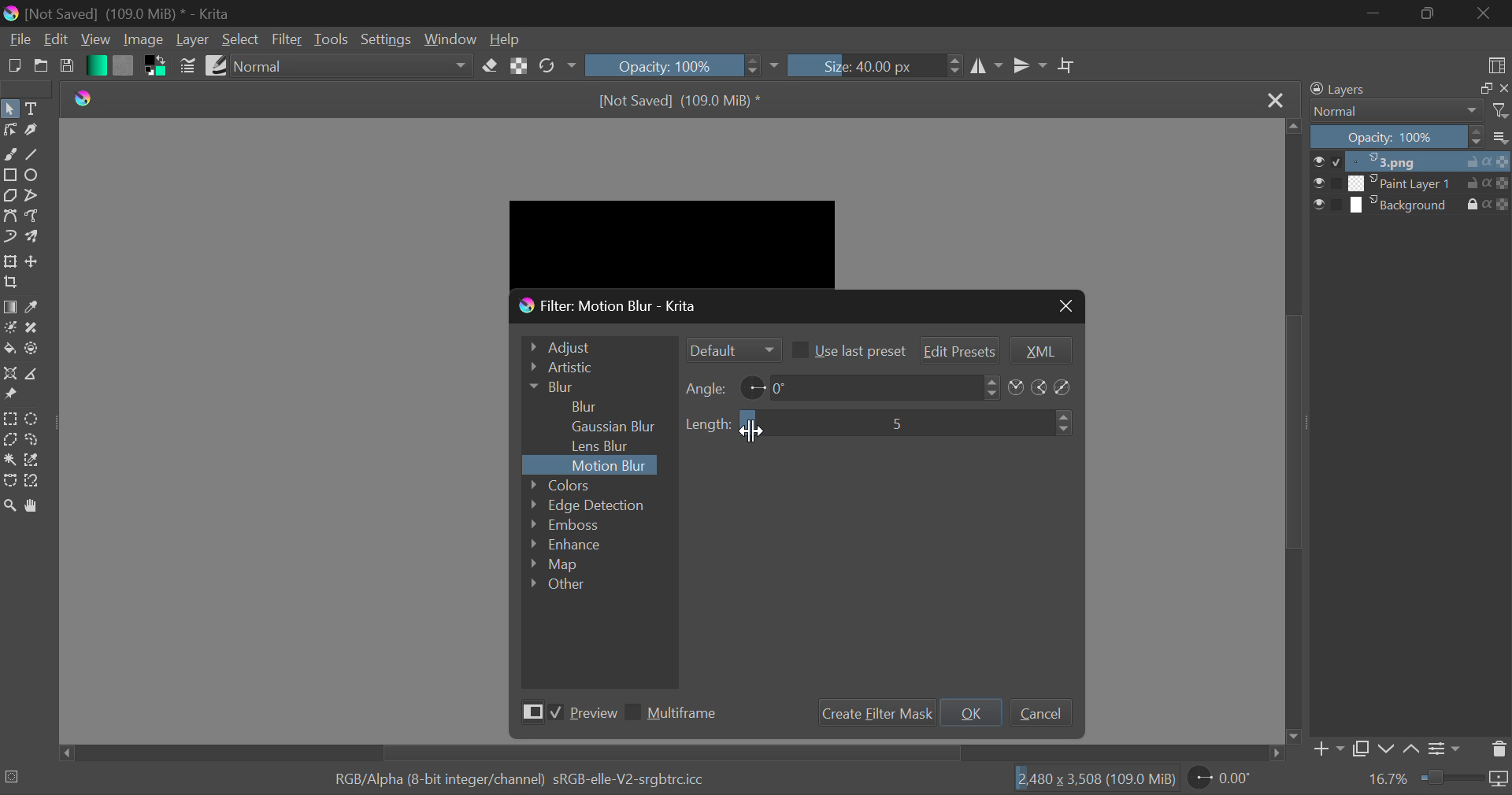 This screenshot has height=795, width=1512. I want to click on Select, so click(241, 39).